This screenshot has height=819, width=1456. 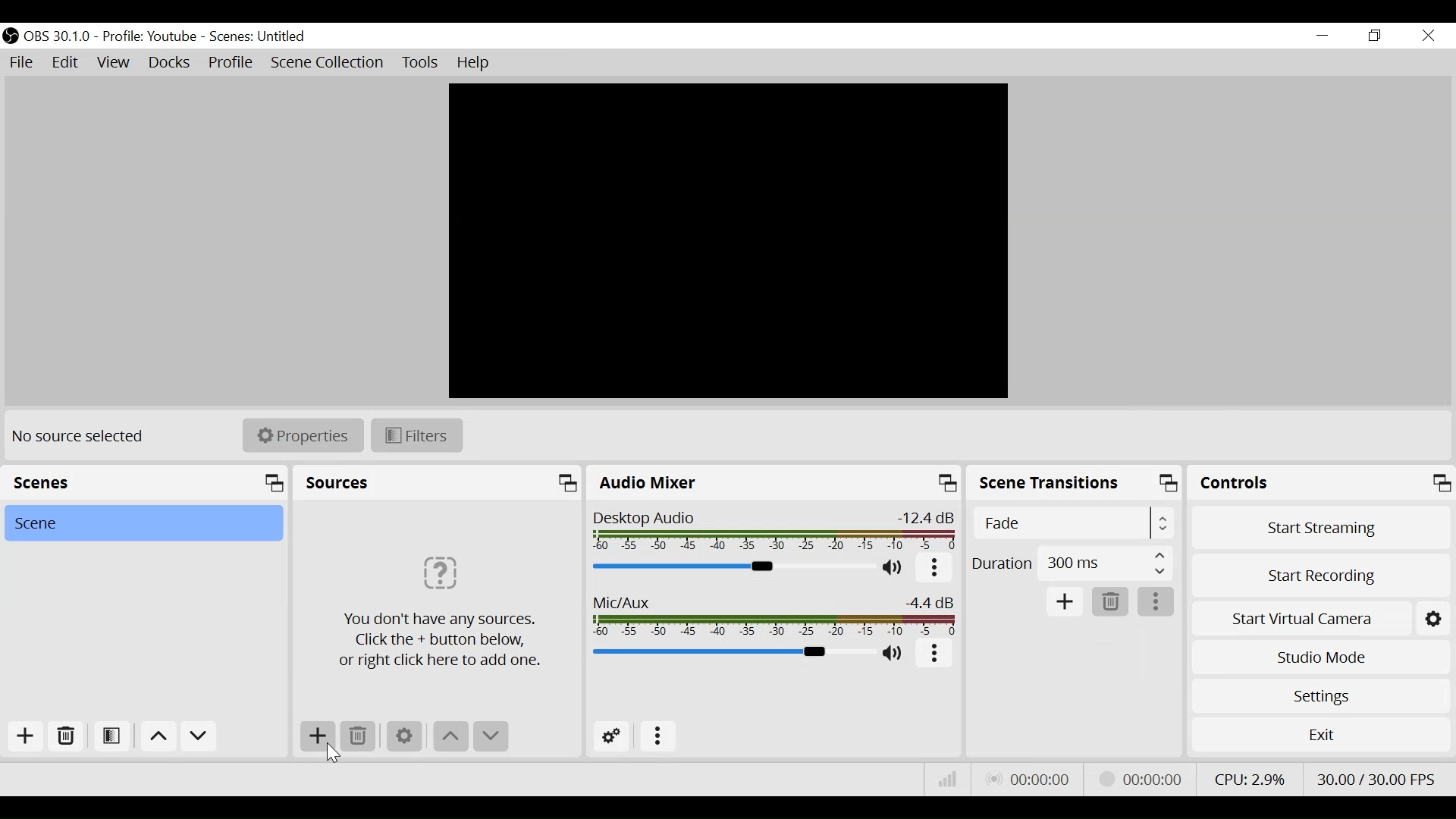 I want to click on Profile, so click(x=149, y=36).